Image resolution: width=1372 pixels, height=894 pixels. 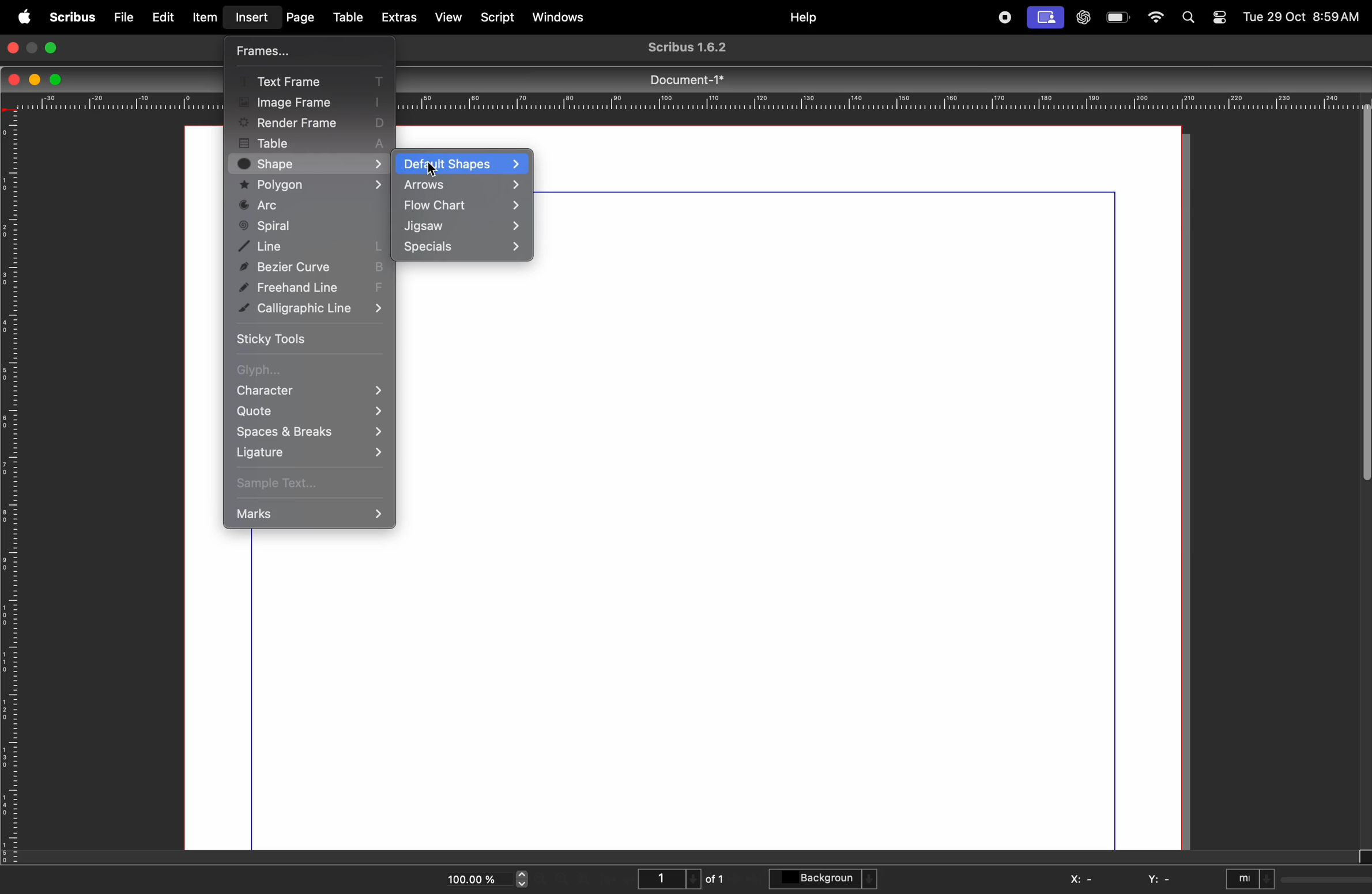 What do you see at coordinates (1155, 18) in the screenshot?
I see `wifi` at bounding box center [1155, 18].